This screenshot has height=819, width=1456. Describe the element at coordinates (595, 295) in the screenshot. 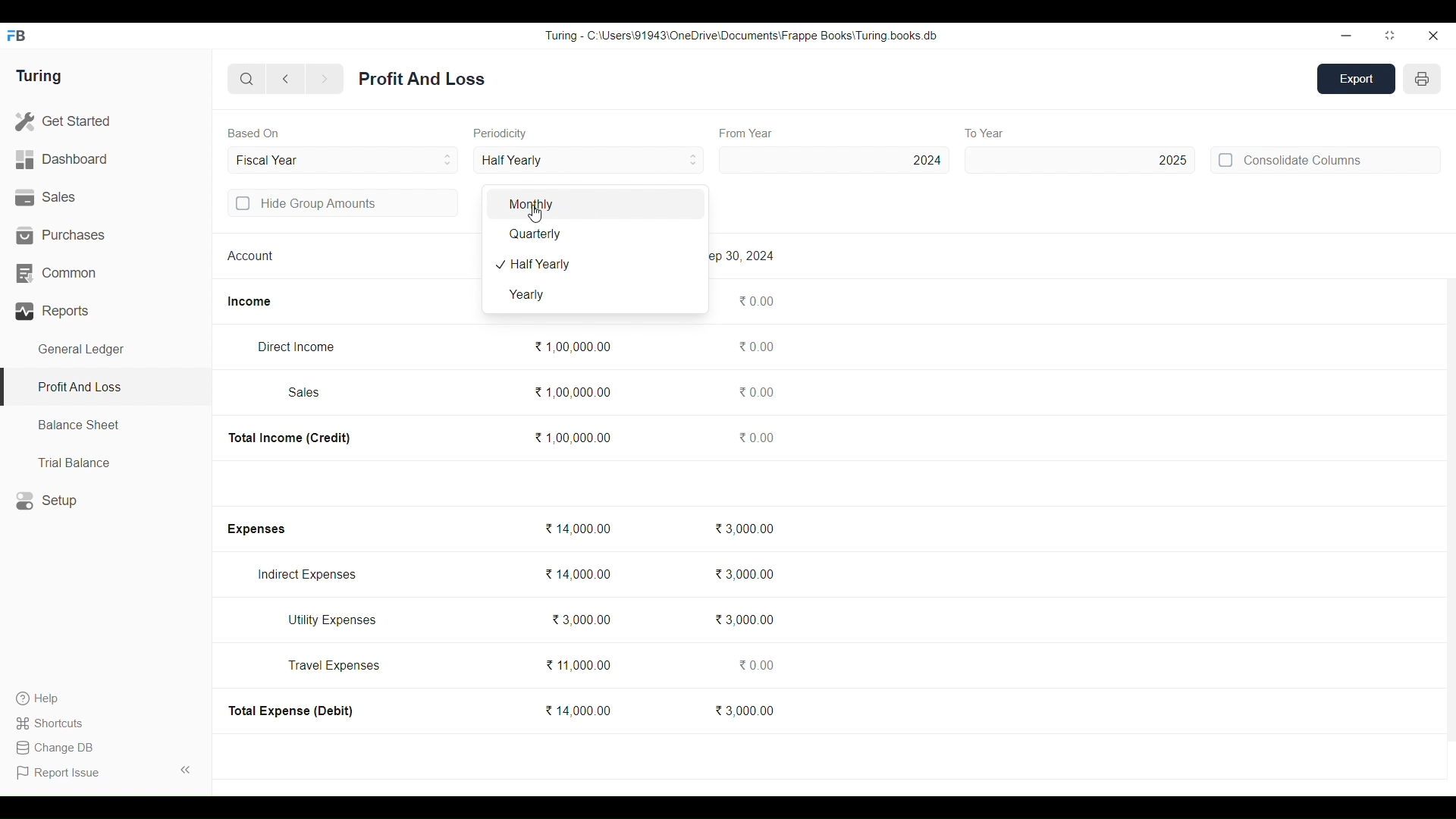

I see `Yearly` at that location.